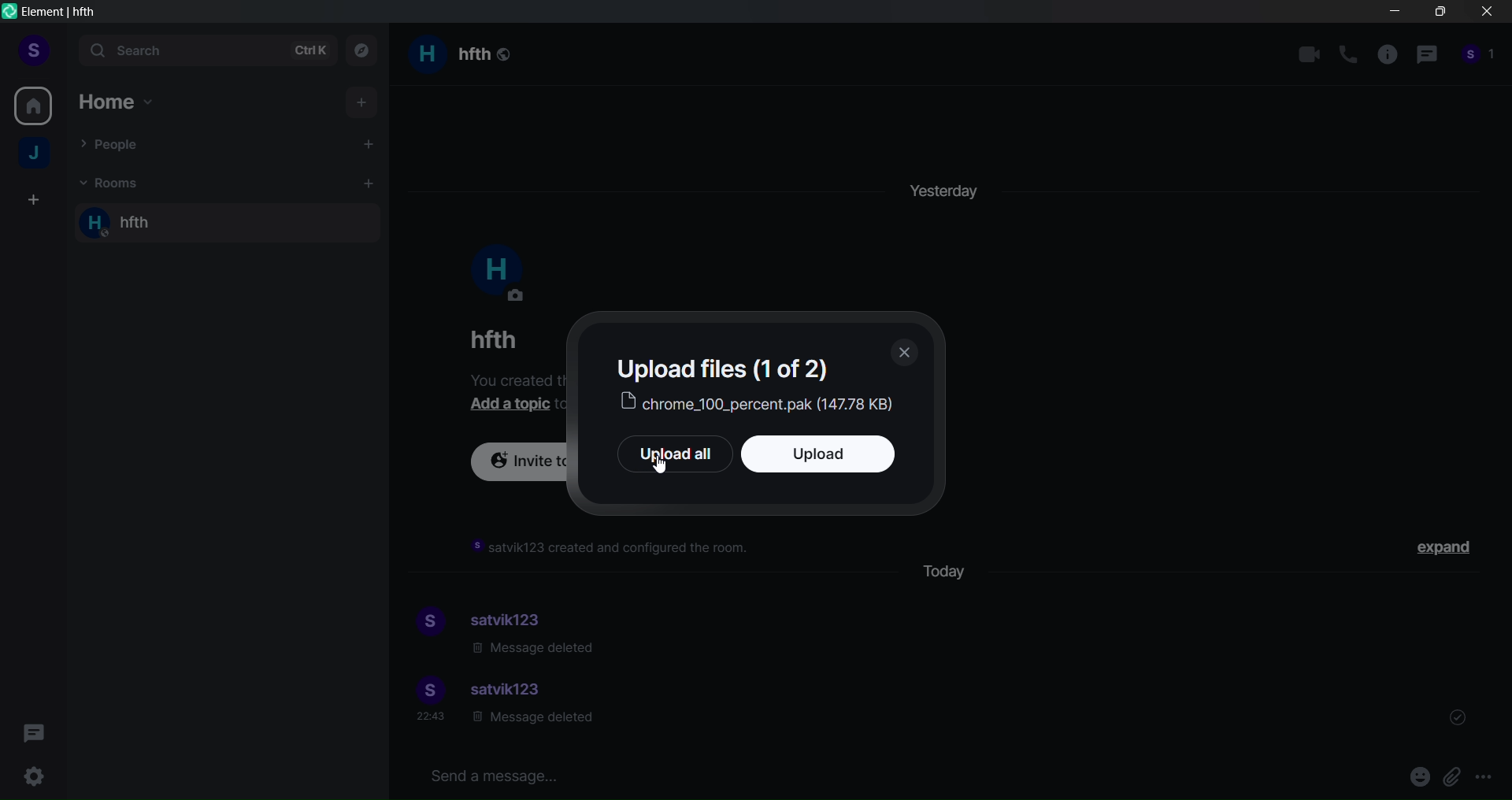  I want to click on search, so click(204, 52).